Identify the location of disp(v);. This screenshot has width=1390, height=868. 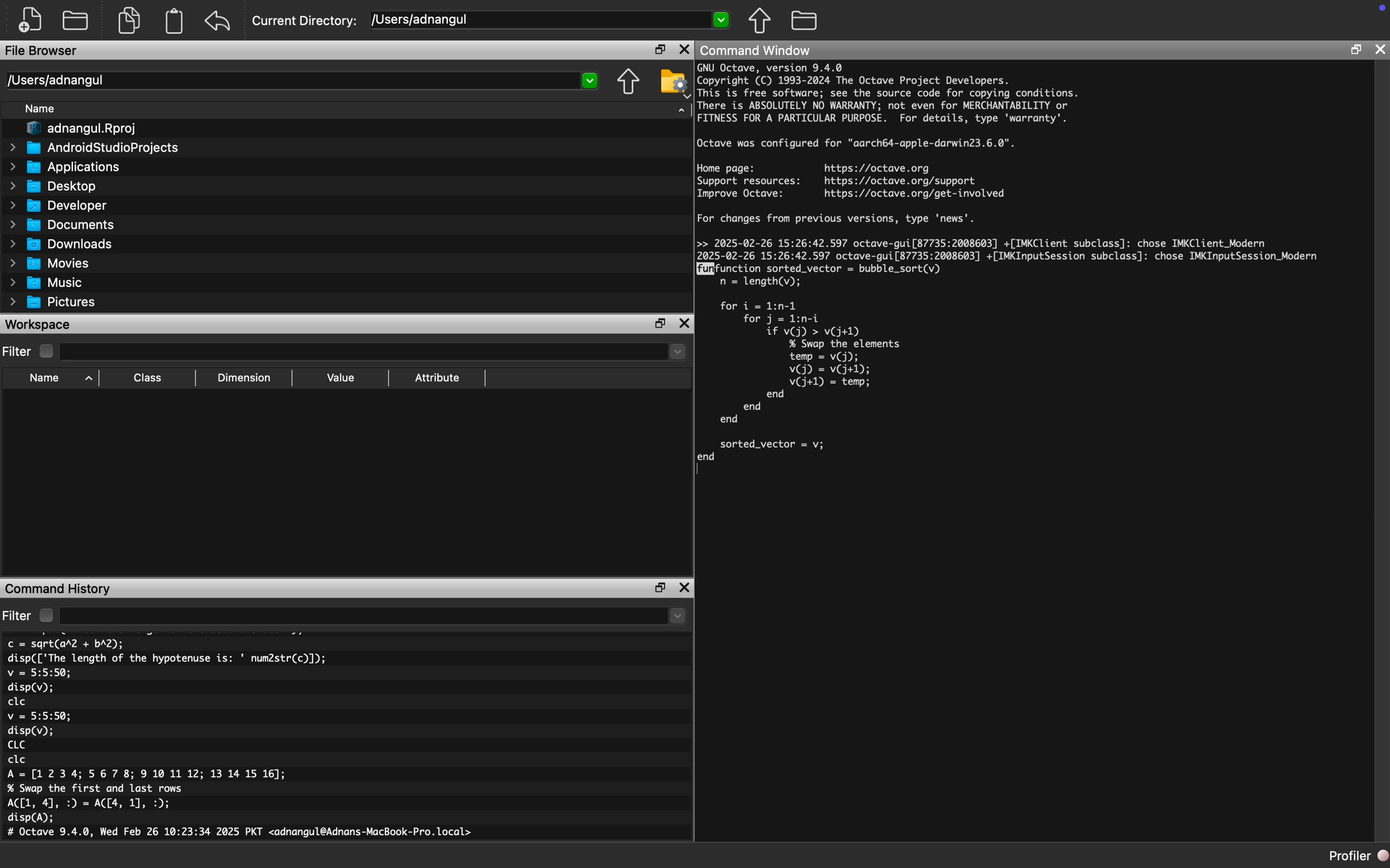
(31, 731).